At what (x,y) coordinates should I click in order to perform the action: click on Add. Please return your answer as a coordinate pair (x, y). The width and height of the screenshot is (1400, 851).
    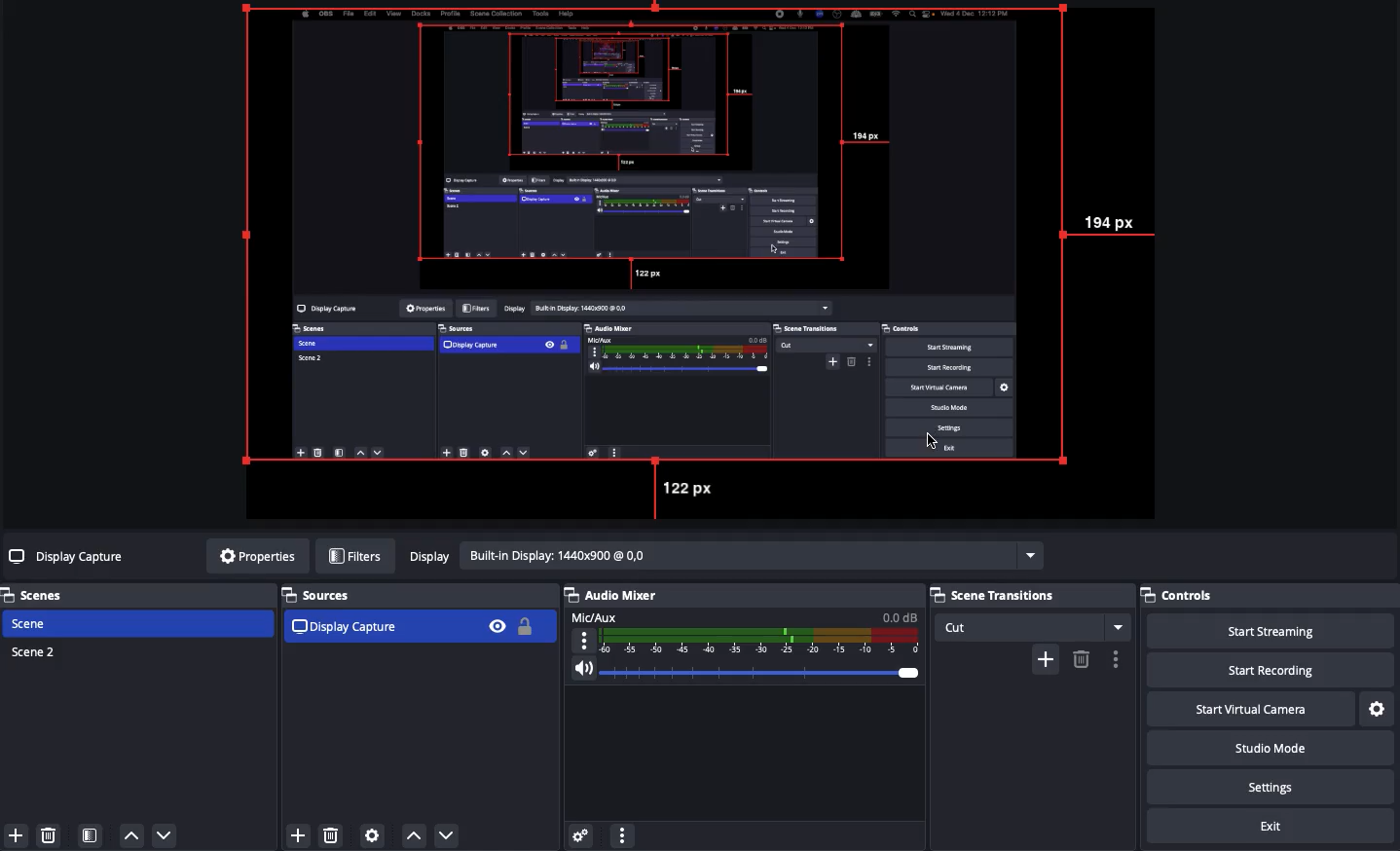
    Looking at the image, I should click on (298, 833).